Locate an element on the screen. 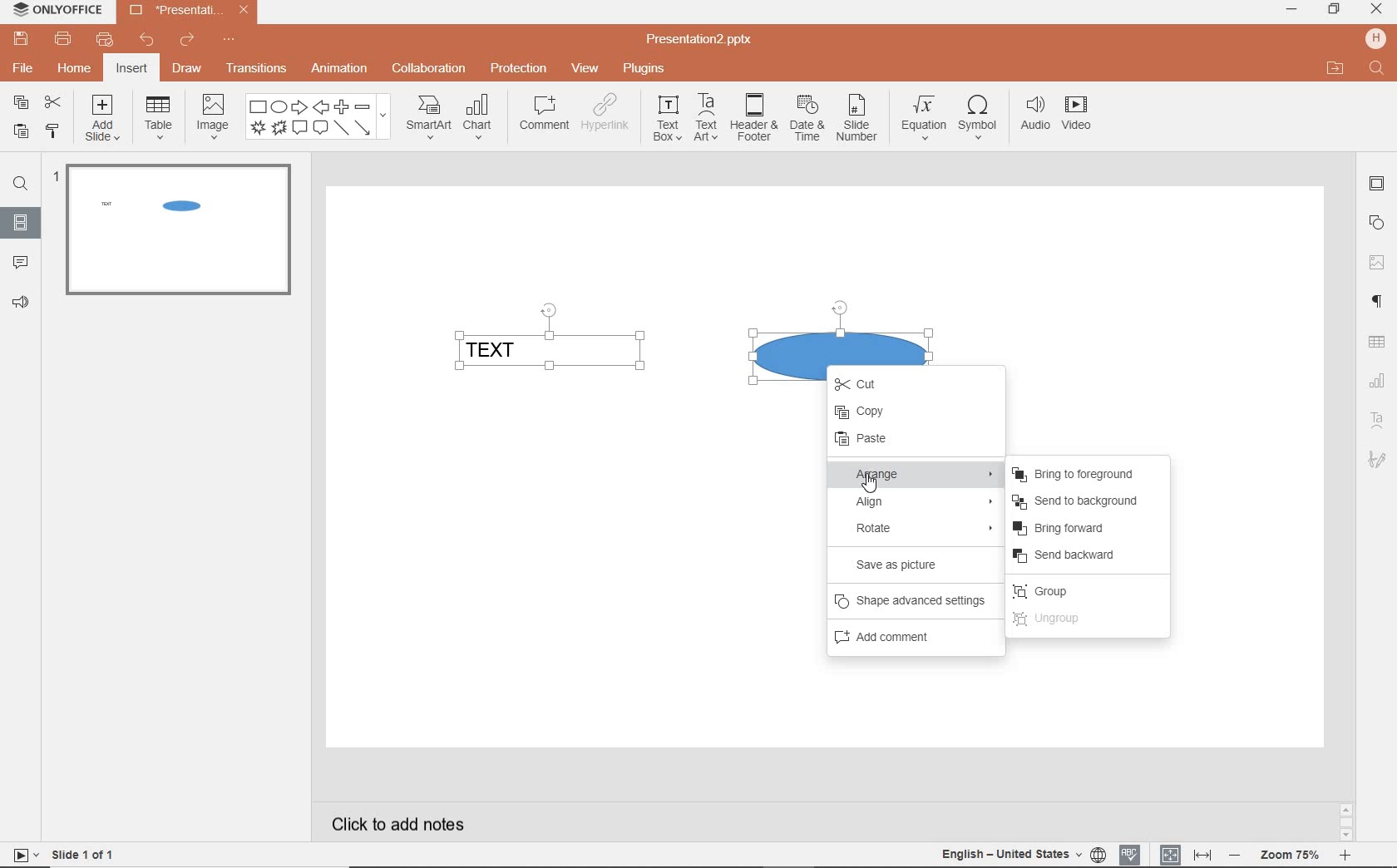 This screenshot has width=1397, height=868. add slide is located at coordinates (103, 121).